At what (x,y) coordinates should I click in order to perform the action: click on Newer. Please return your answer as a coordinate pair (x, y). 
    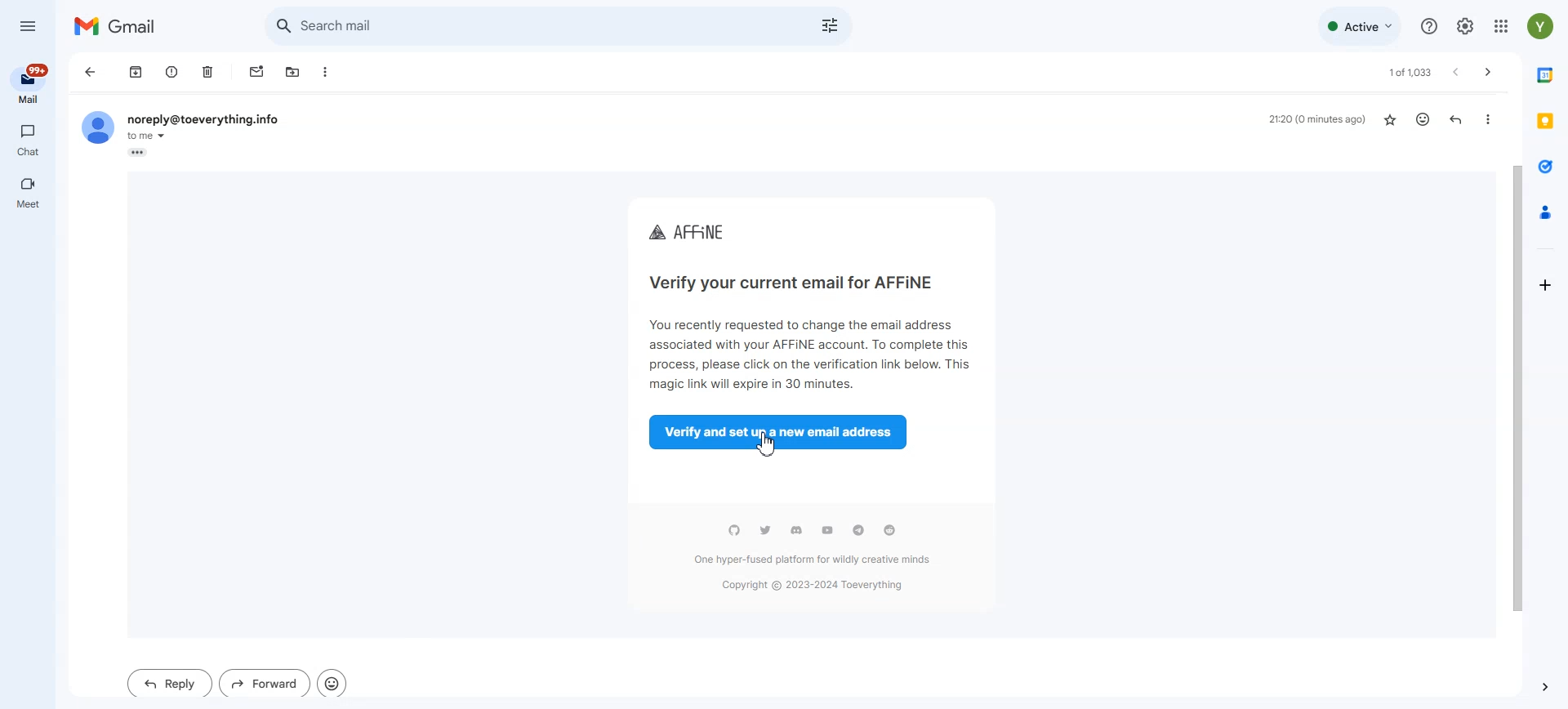
    Looking at the image, I should click on (1455, 72).